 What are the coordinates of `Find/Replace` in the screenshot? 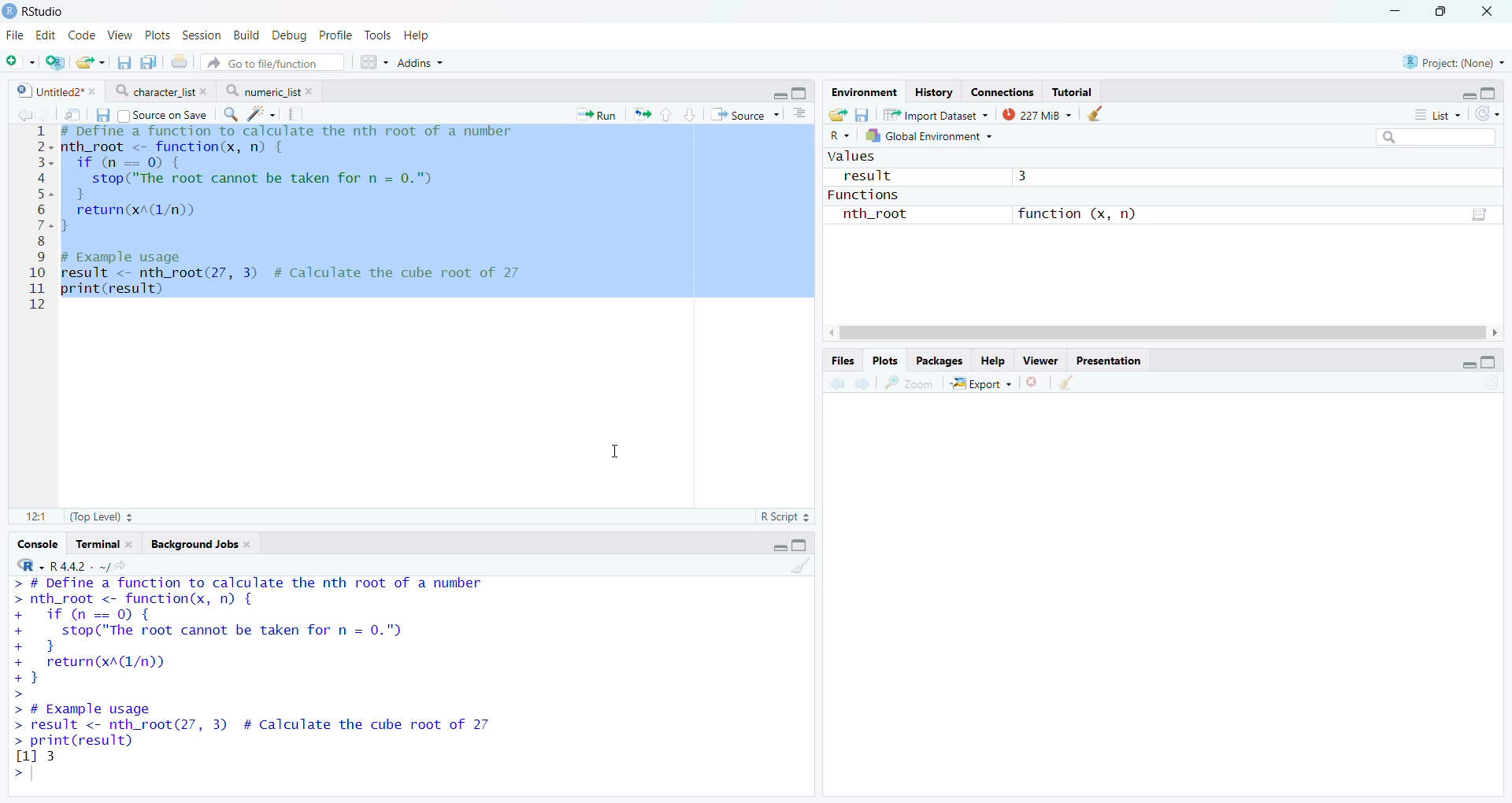 It's located at (231, 114).